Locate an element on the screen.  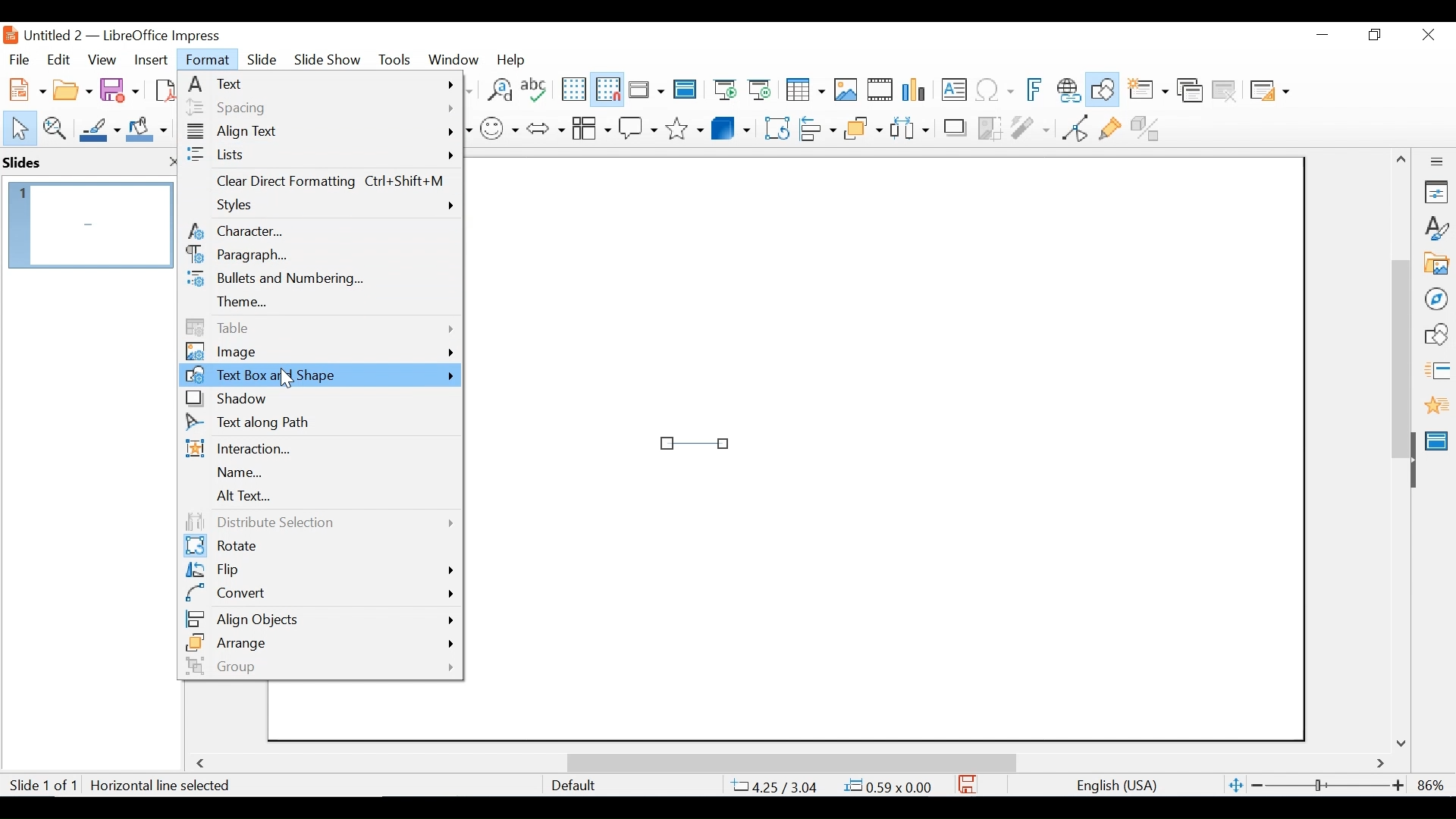
Insert Image is located at coordinates (845, 90).